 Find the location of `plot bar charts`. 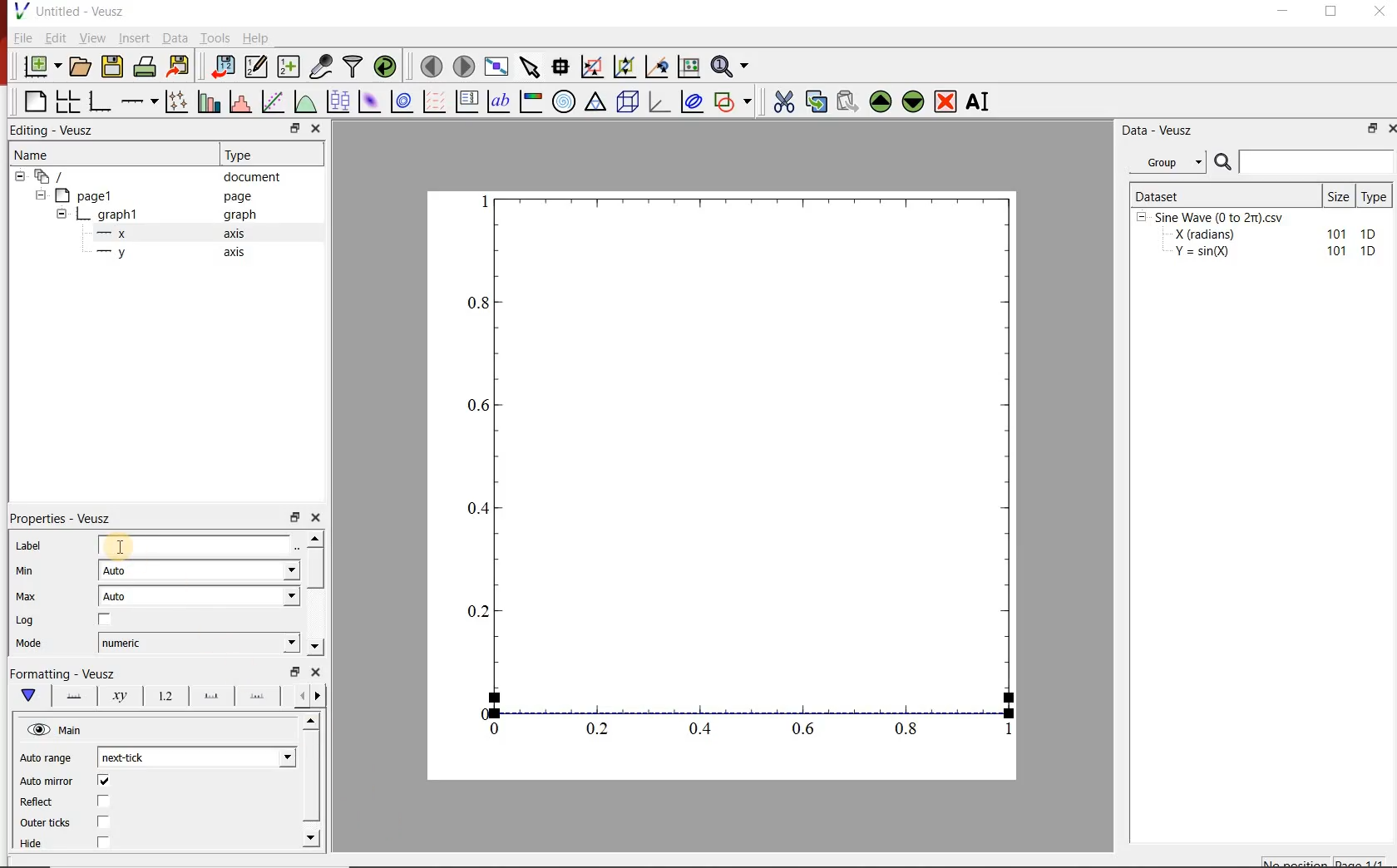

plot bar charts is located at coordinates (211, 100).